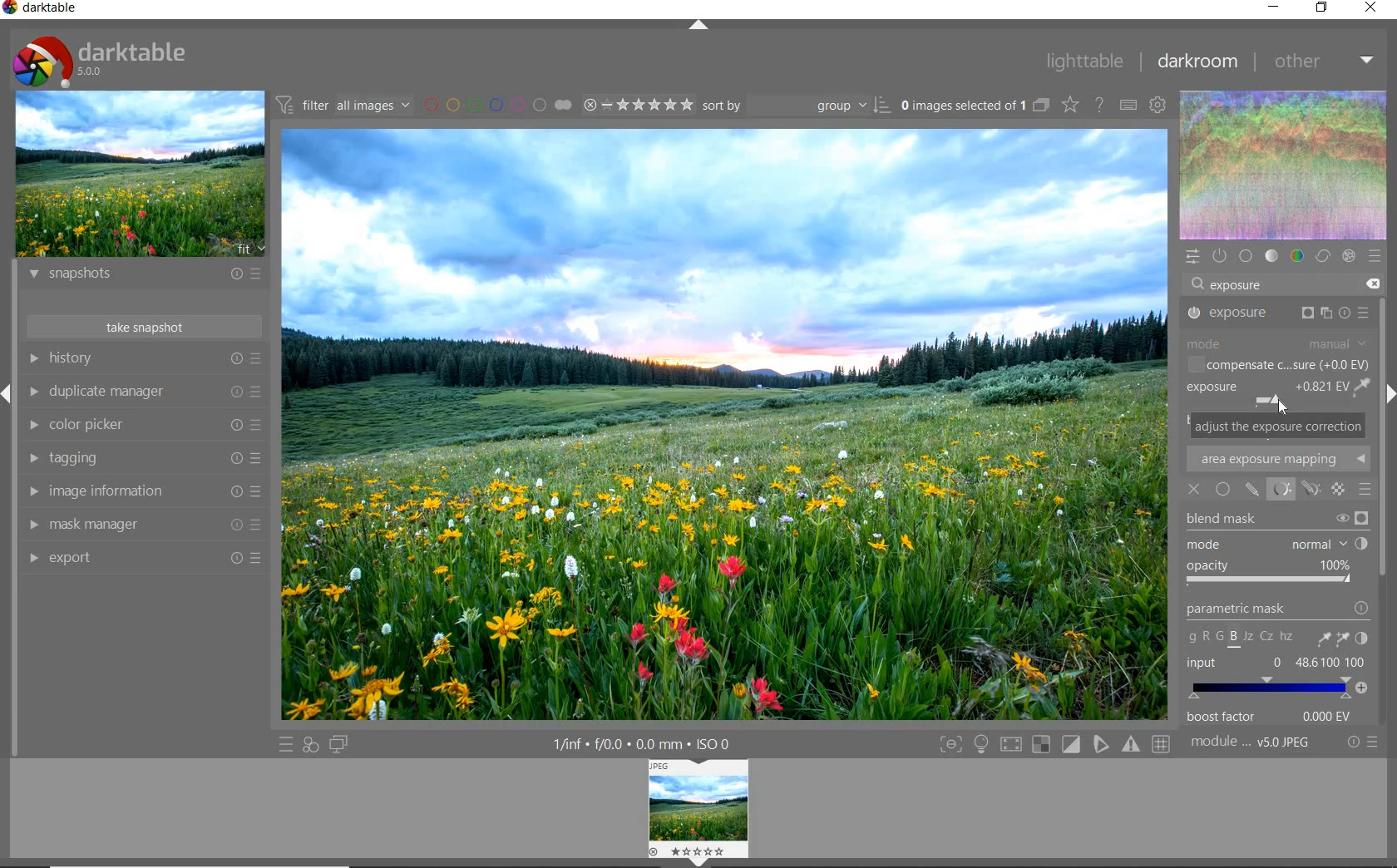 The width and height of the screenshot is (1397, 868). What do you see at coordinates (1276, 545) in the screenshot?
I see `mode: normal` at bounding box center [1276, 545].